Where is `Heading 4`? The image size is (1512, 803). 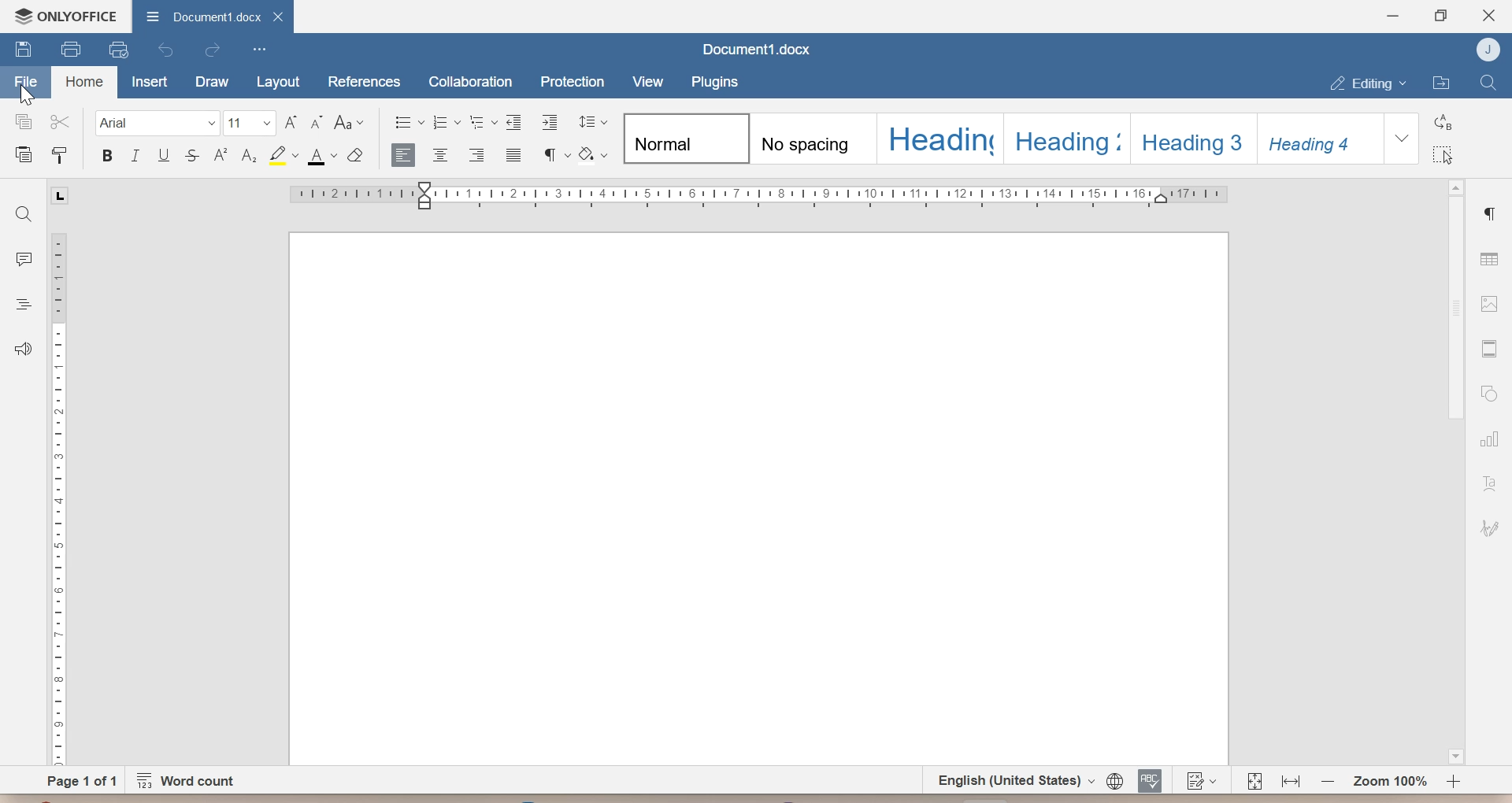
Heading 4 is located at coordinates (1319, 138).